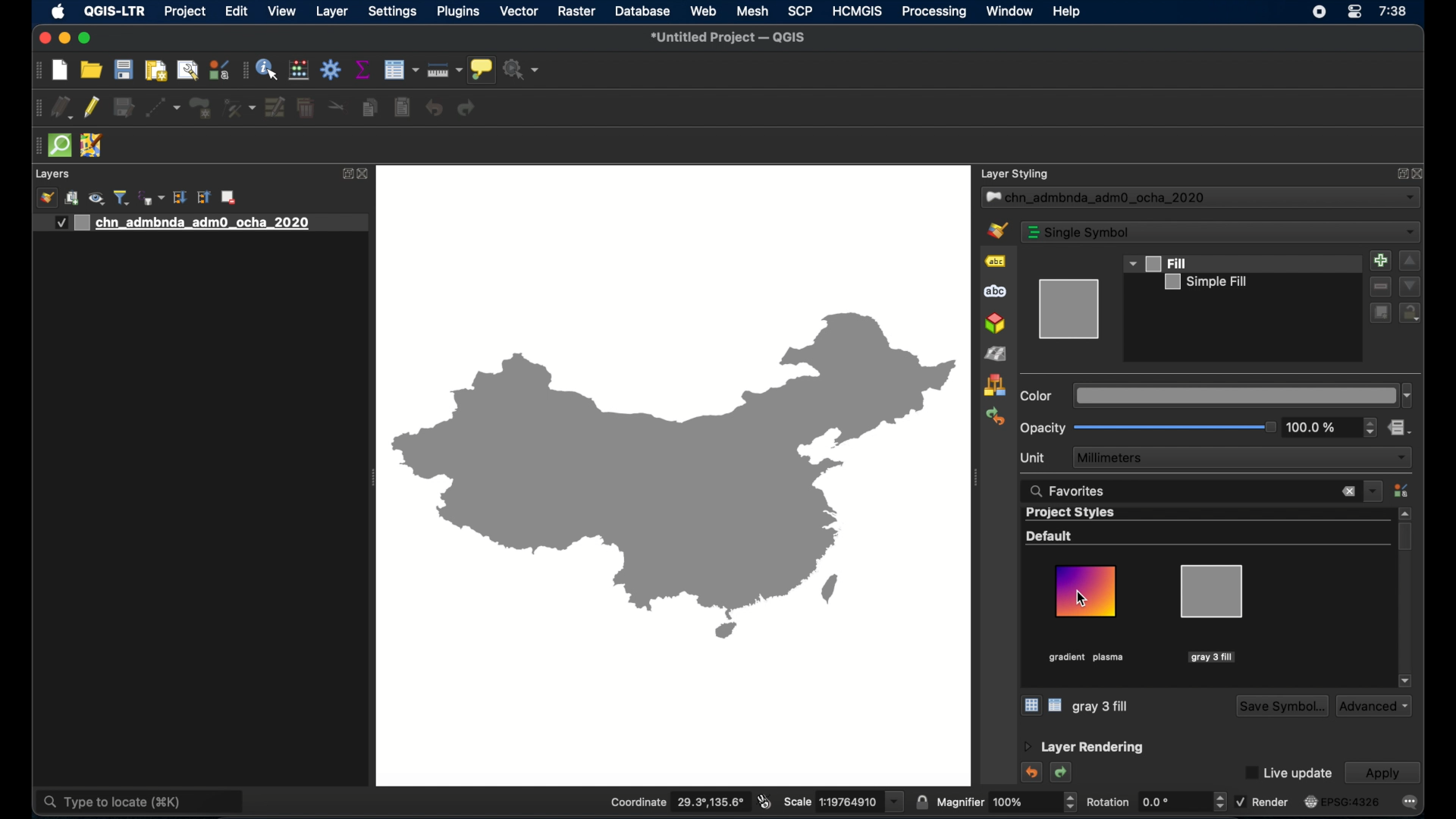 The image size is (1456, 819). What do you see at coordinates (435, 108) in the screenshot?
I see `undo` at bounding box center [435, 108].